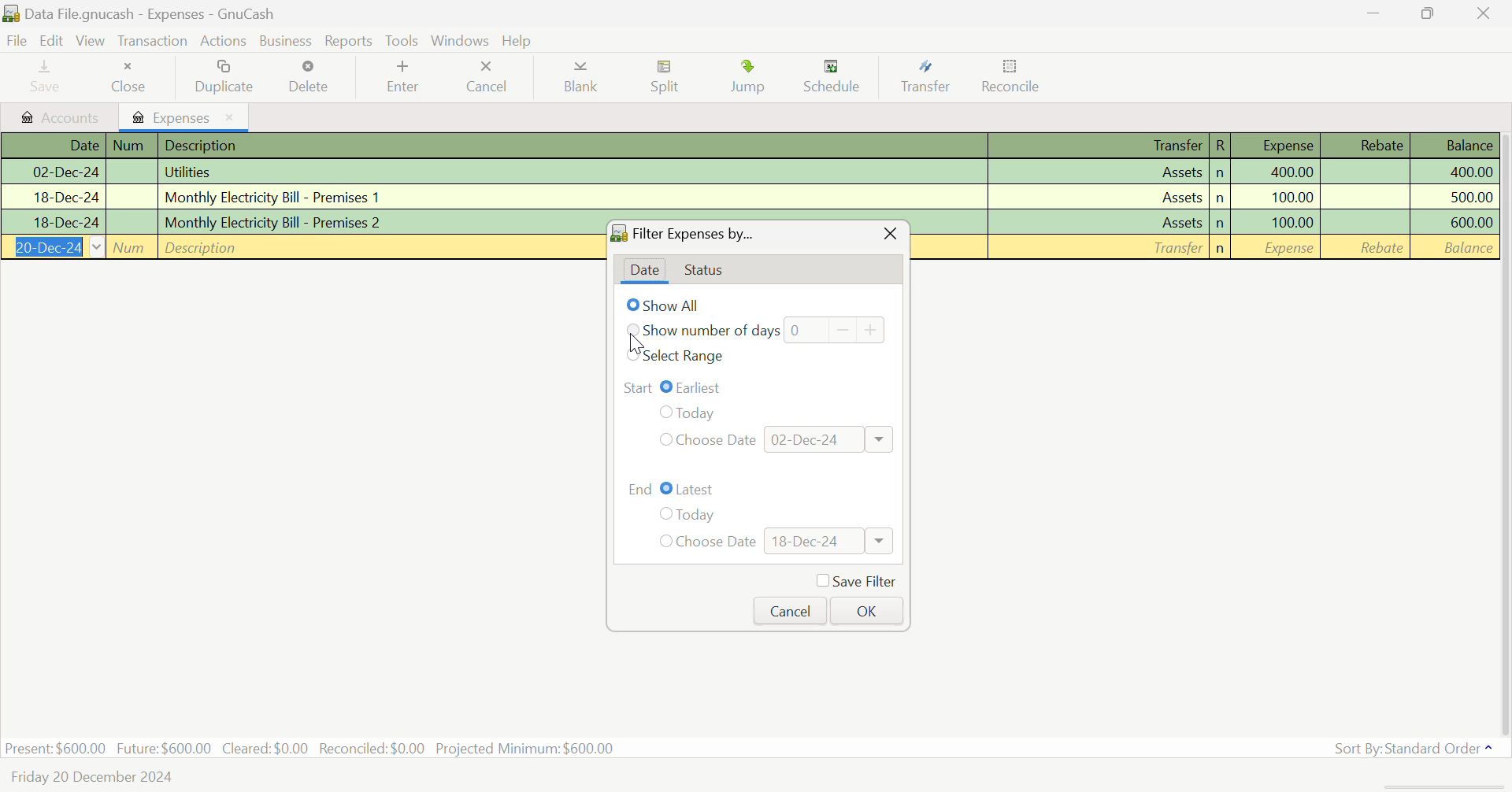 The width and height of the screenshot is (1512, 792). Describe the element at coordinates (131, 222) in the screenshot. I see `Num` at that location.